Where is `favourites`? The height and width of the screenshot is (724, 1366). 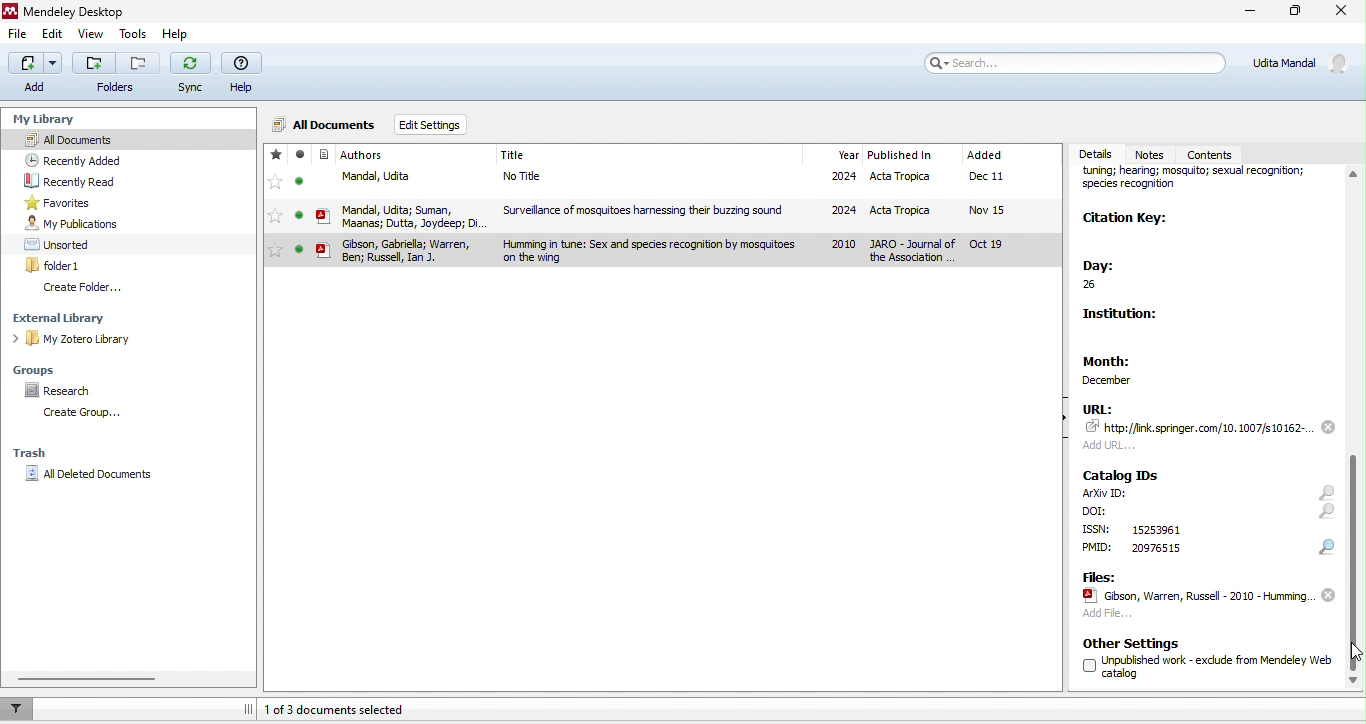 favourites is located at coordinates (63, 203).